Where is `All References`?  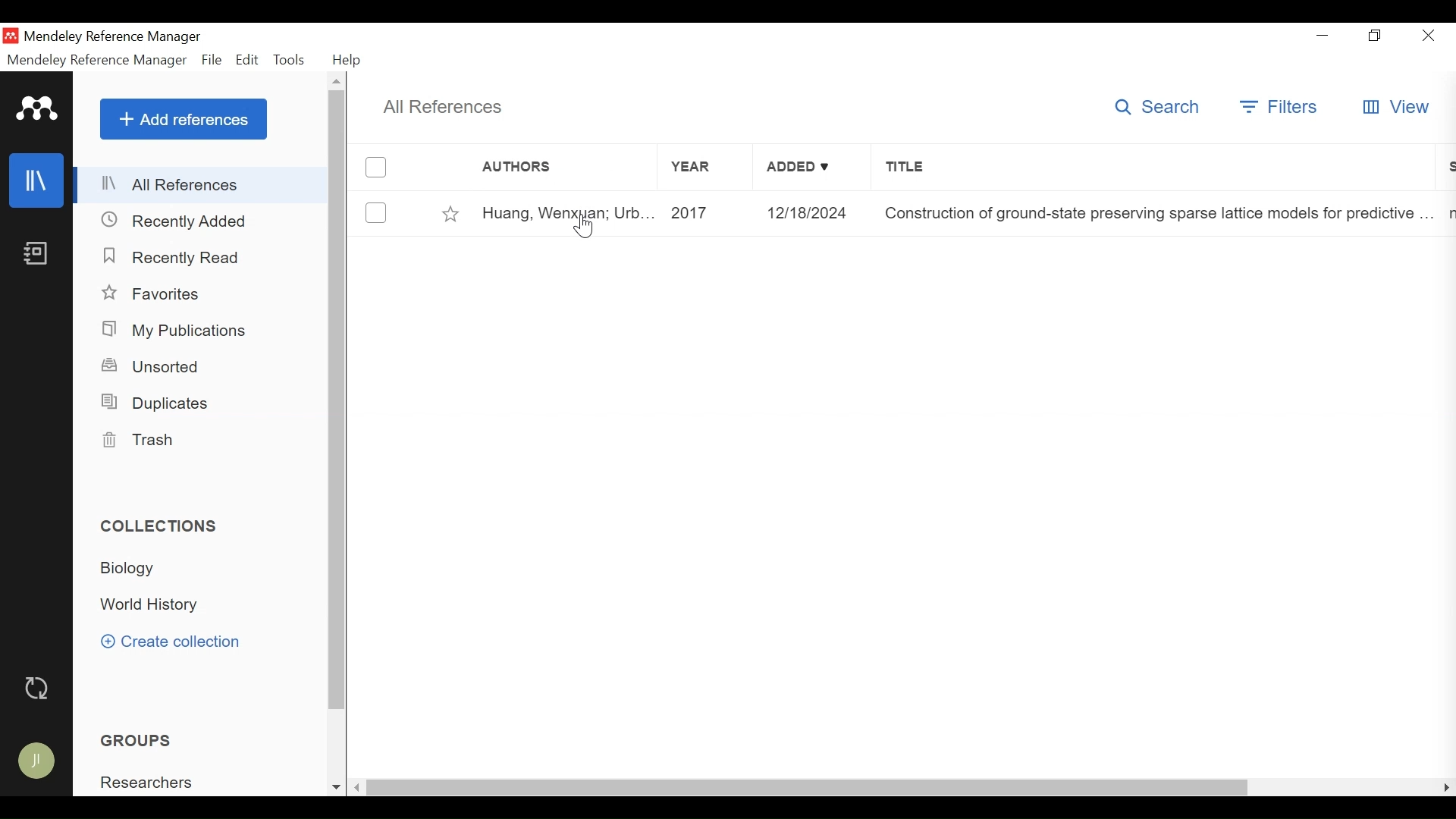 All References is located at coordinates (444, 108).